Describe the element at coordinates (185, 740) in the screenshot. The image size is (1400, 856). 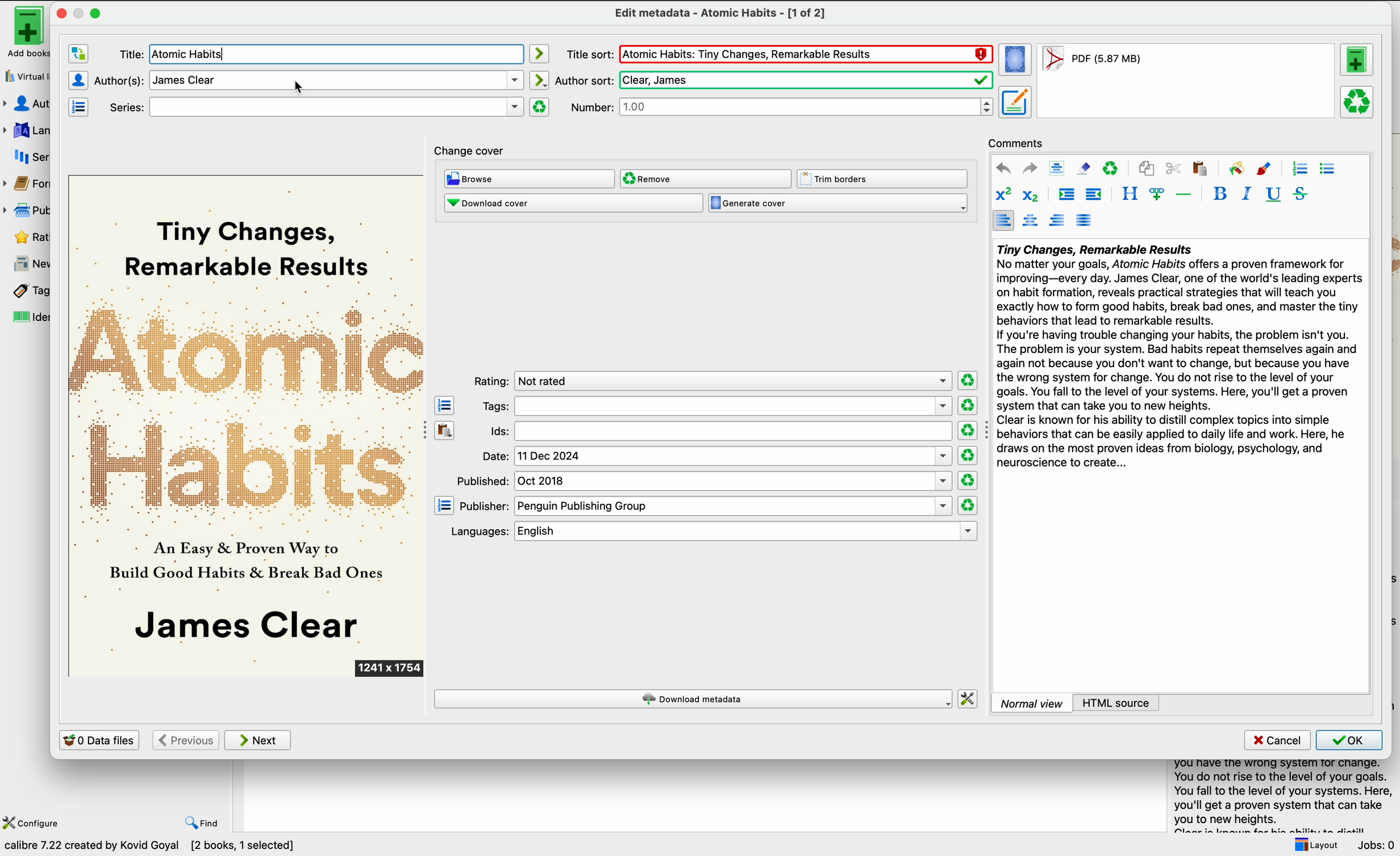
I see `previous` at that location.